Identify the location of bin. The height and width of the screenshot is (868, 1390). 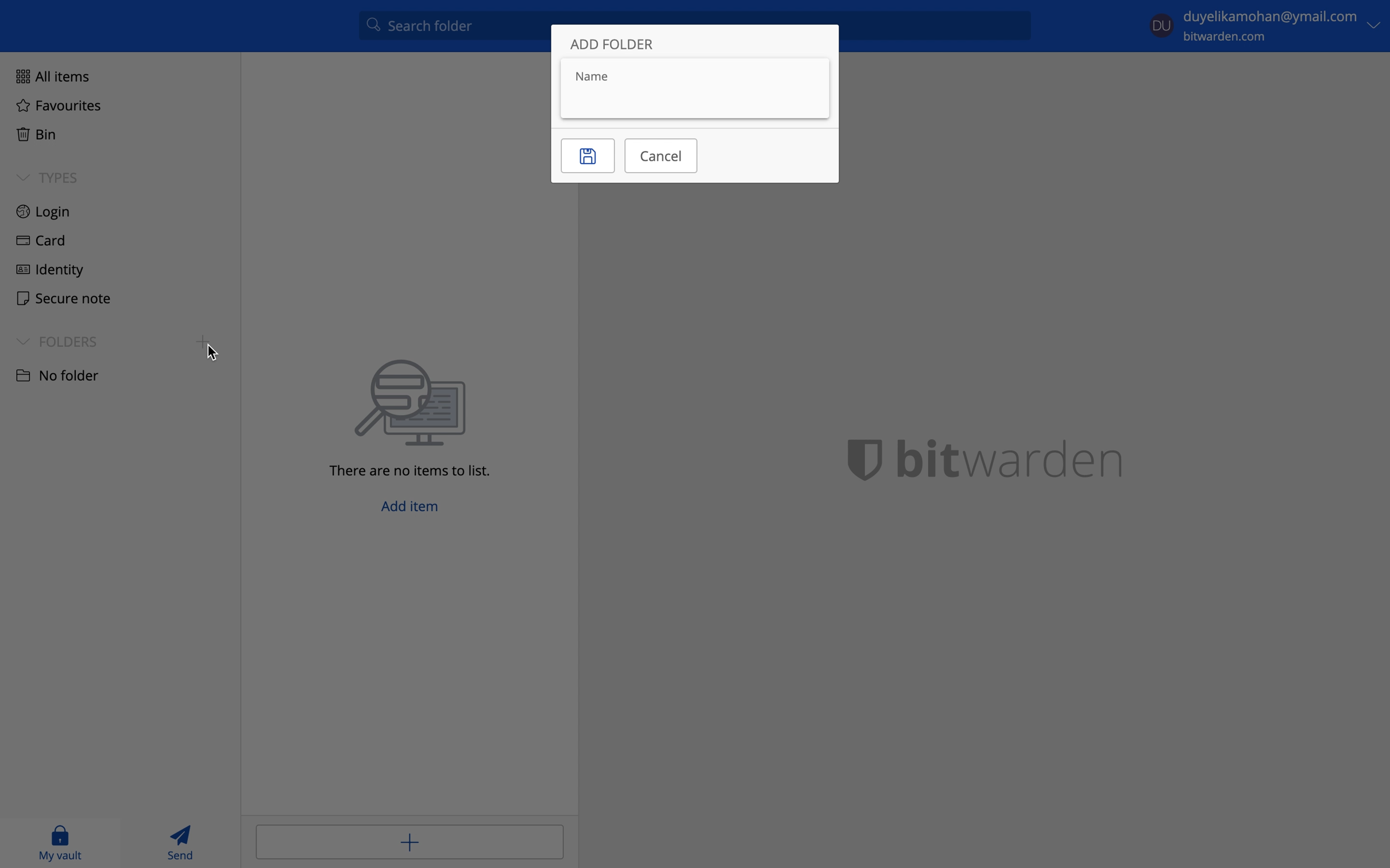
(33, 132).